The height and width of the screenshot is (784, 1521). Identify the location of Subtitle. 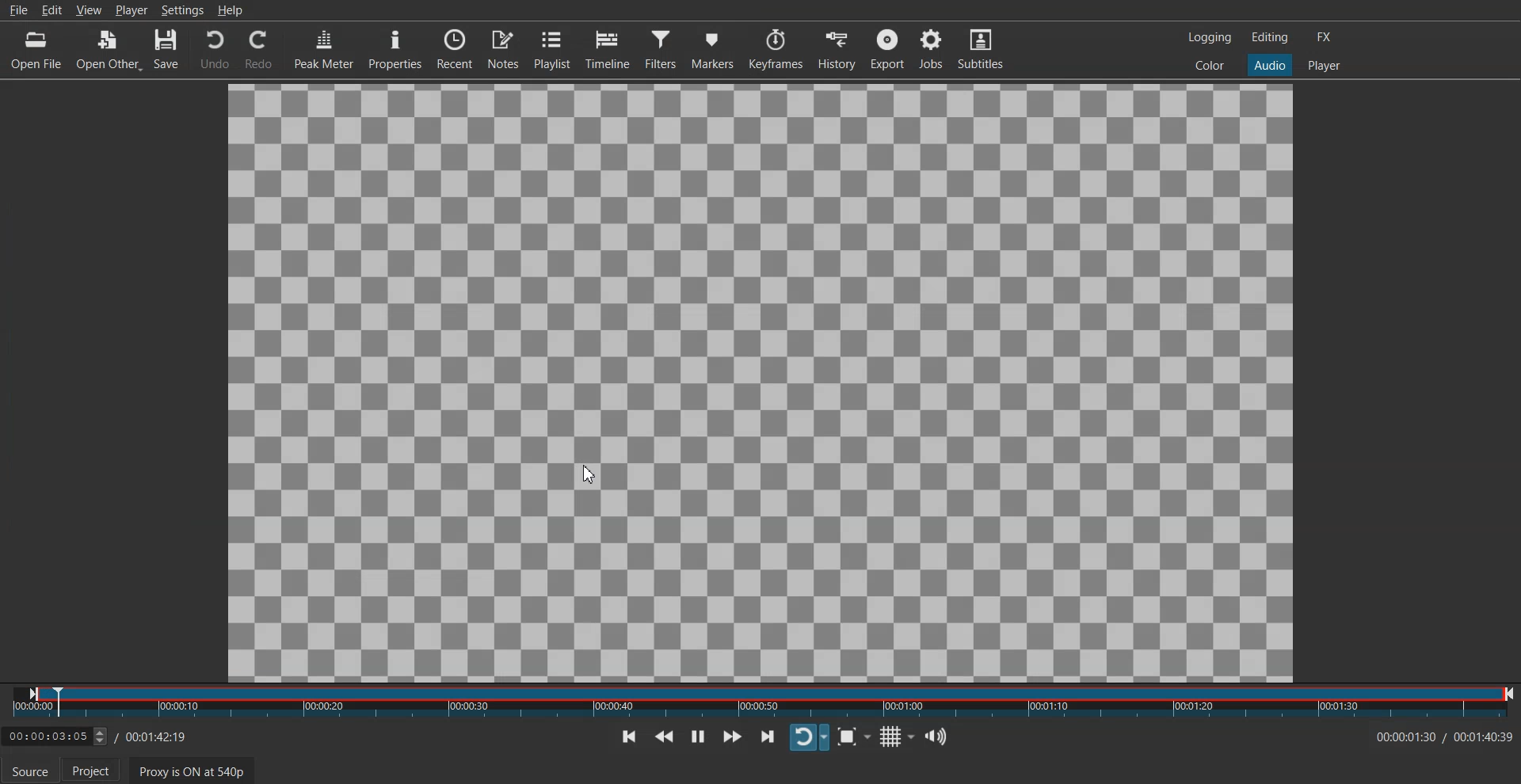
(982, 48).